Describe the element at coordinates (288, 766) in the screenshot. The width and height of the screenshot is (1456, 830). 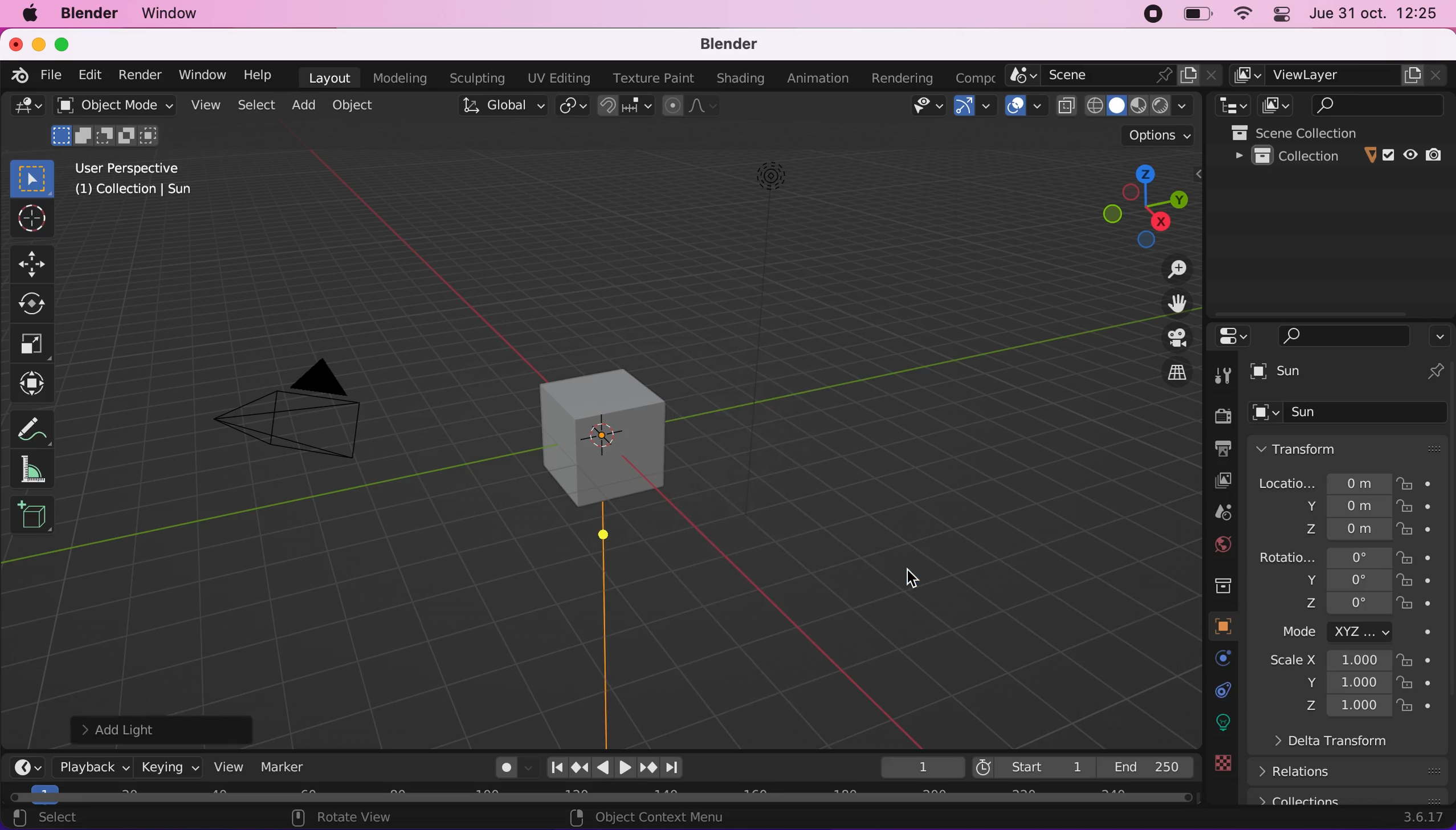
I see `marker` at that location.